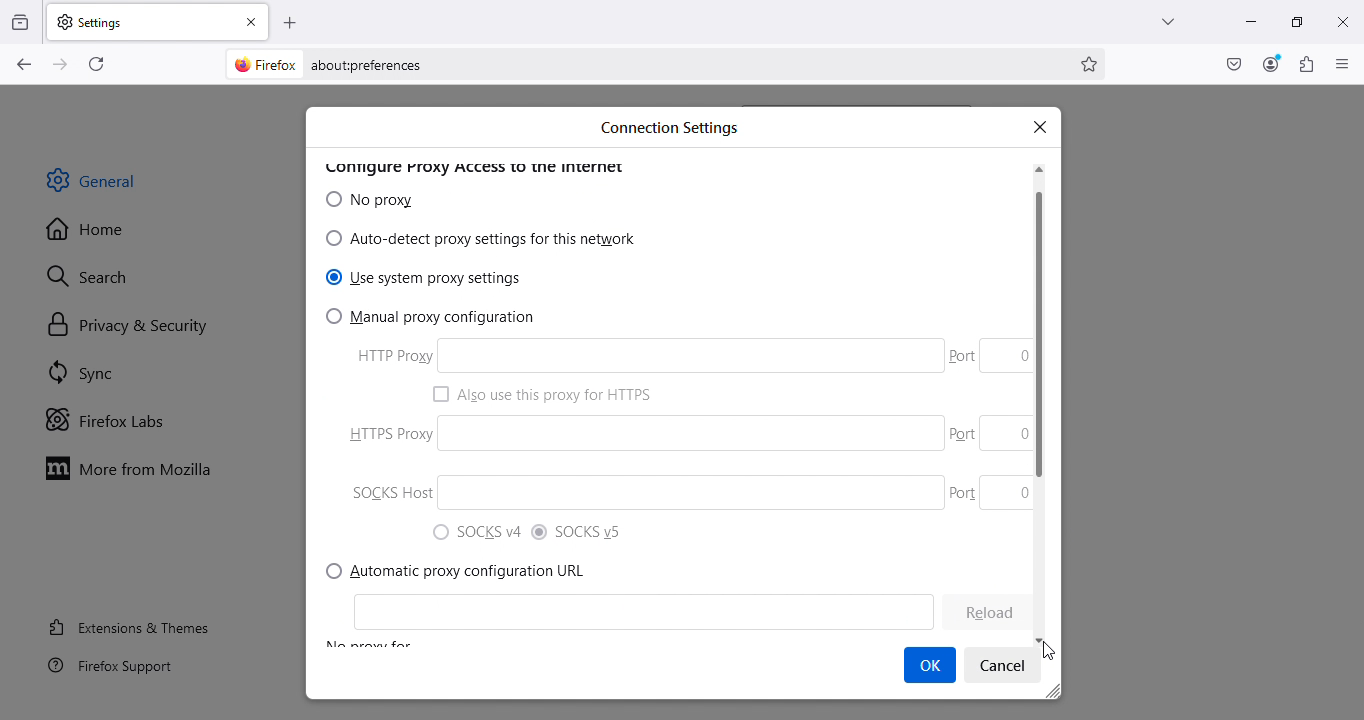 This screenshot has height=720, width=1364. I want to click on 0 Auto-detect proxy settings for this network, so click(481, 239).